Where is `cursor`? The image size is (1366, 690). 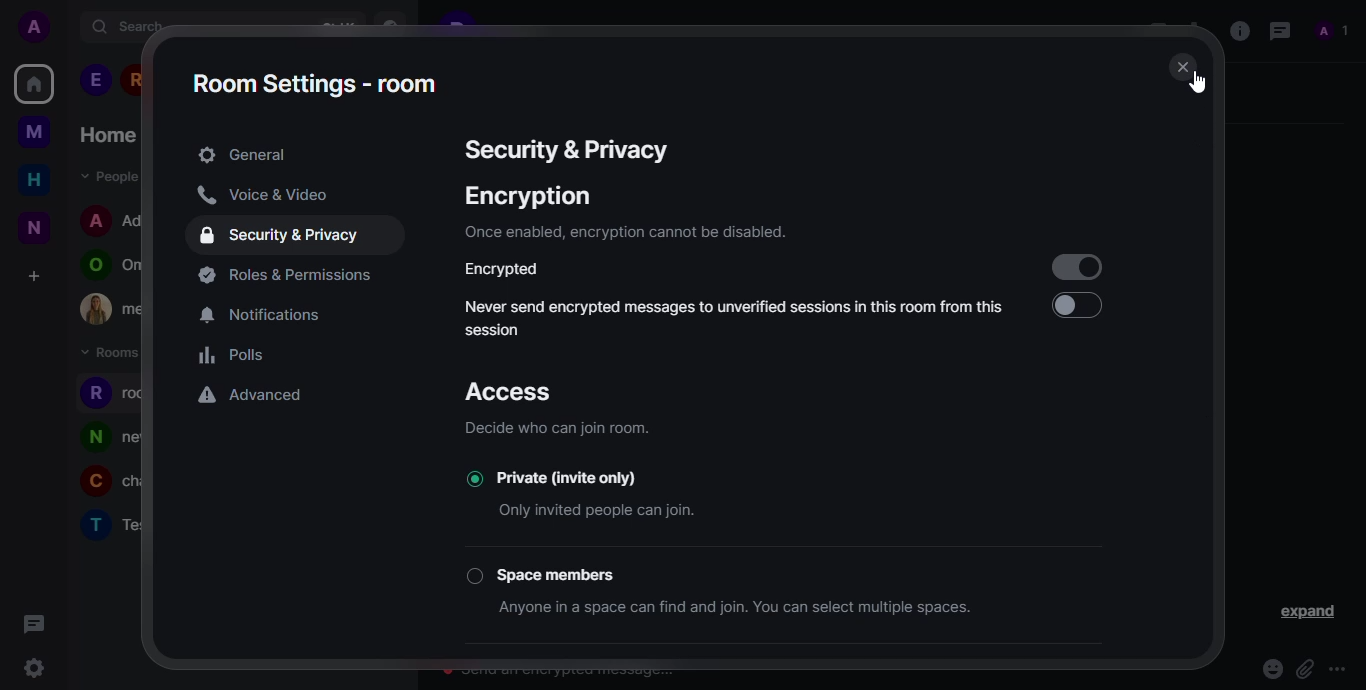
cursor is located at coordinates (1198, 84).